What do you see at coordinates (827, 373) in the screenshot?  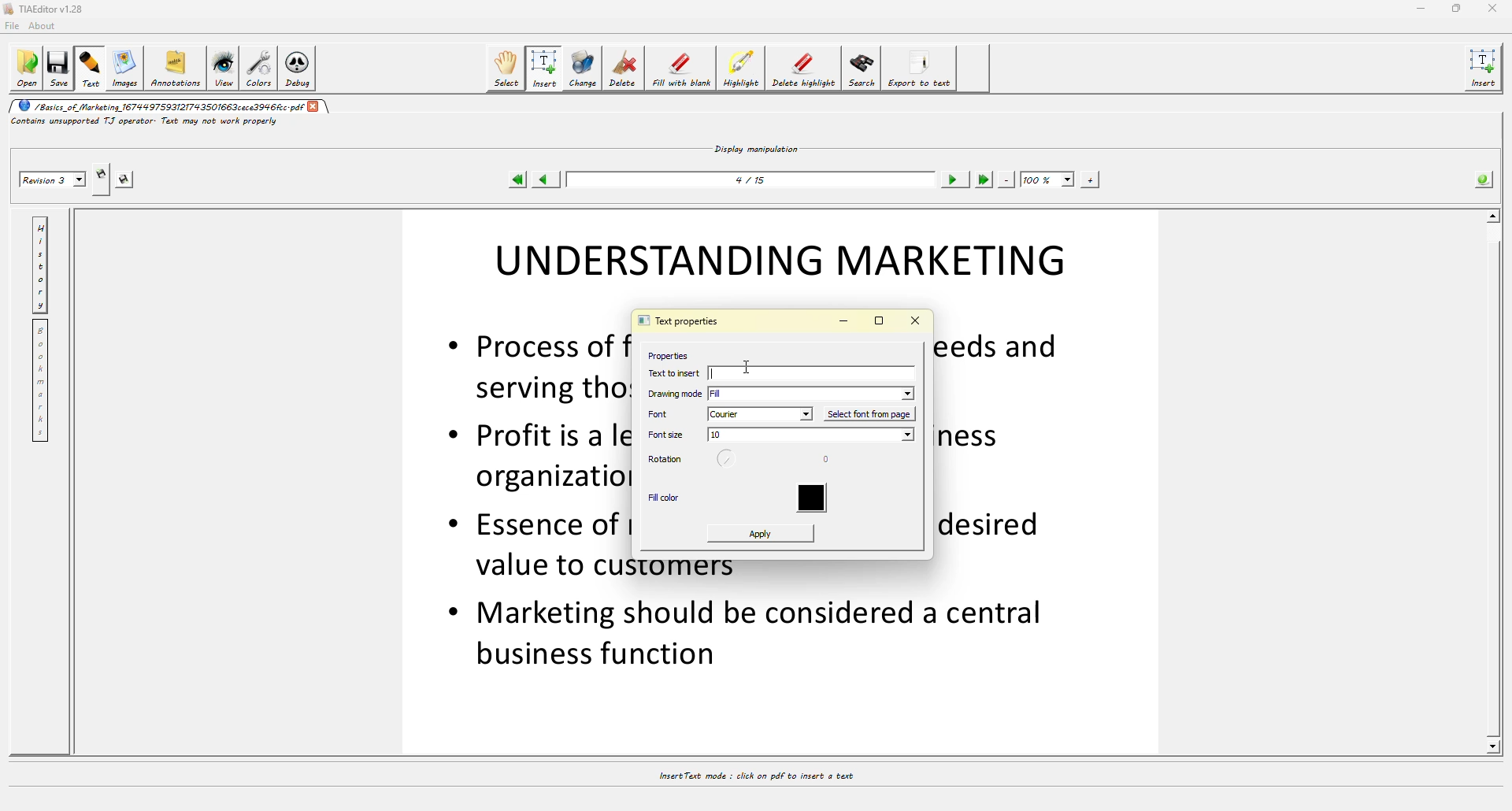 I see `text to insert` at bounding box center [827, 373].